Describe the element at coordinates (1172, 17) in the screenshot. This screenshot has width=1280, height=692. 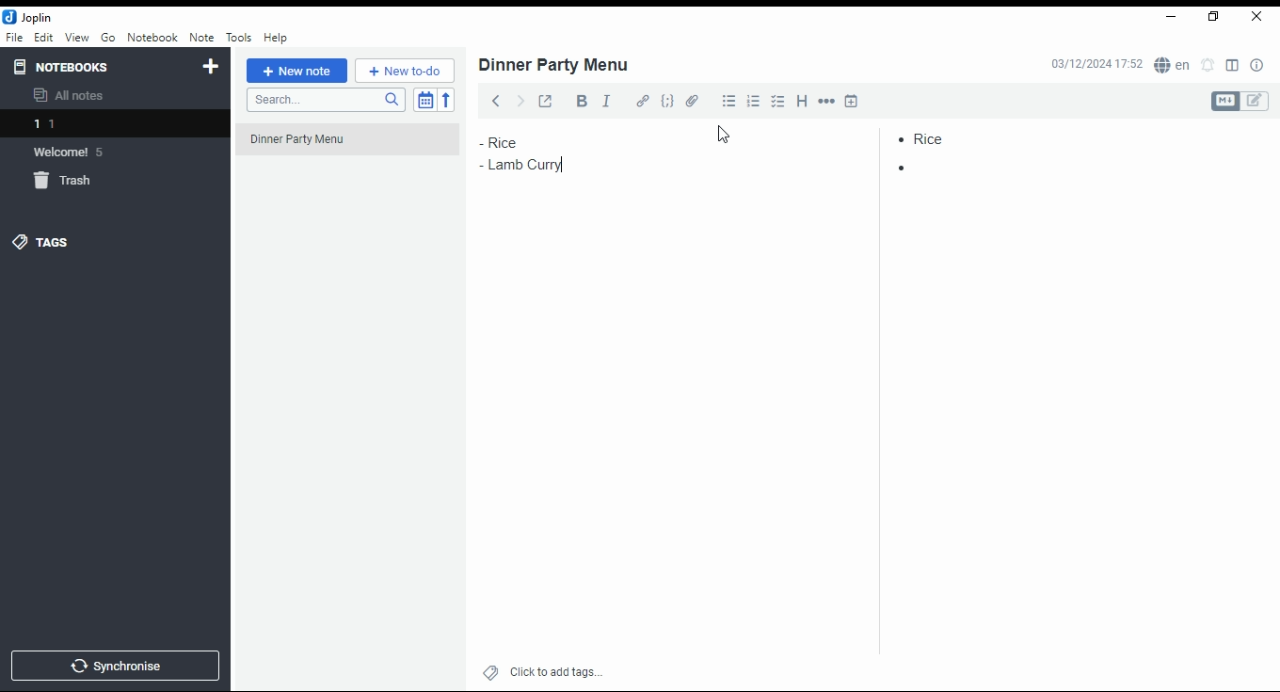
I see `minimize` at that location.